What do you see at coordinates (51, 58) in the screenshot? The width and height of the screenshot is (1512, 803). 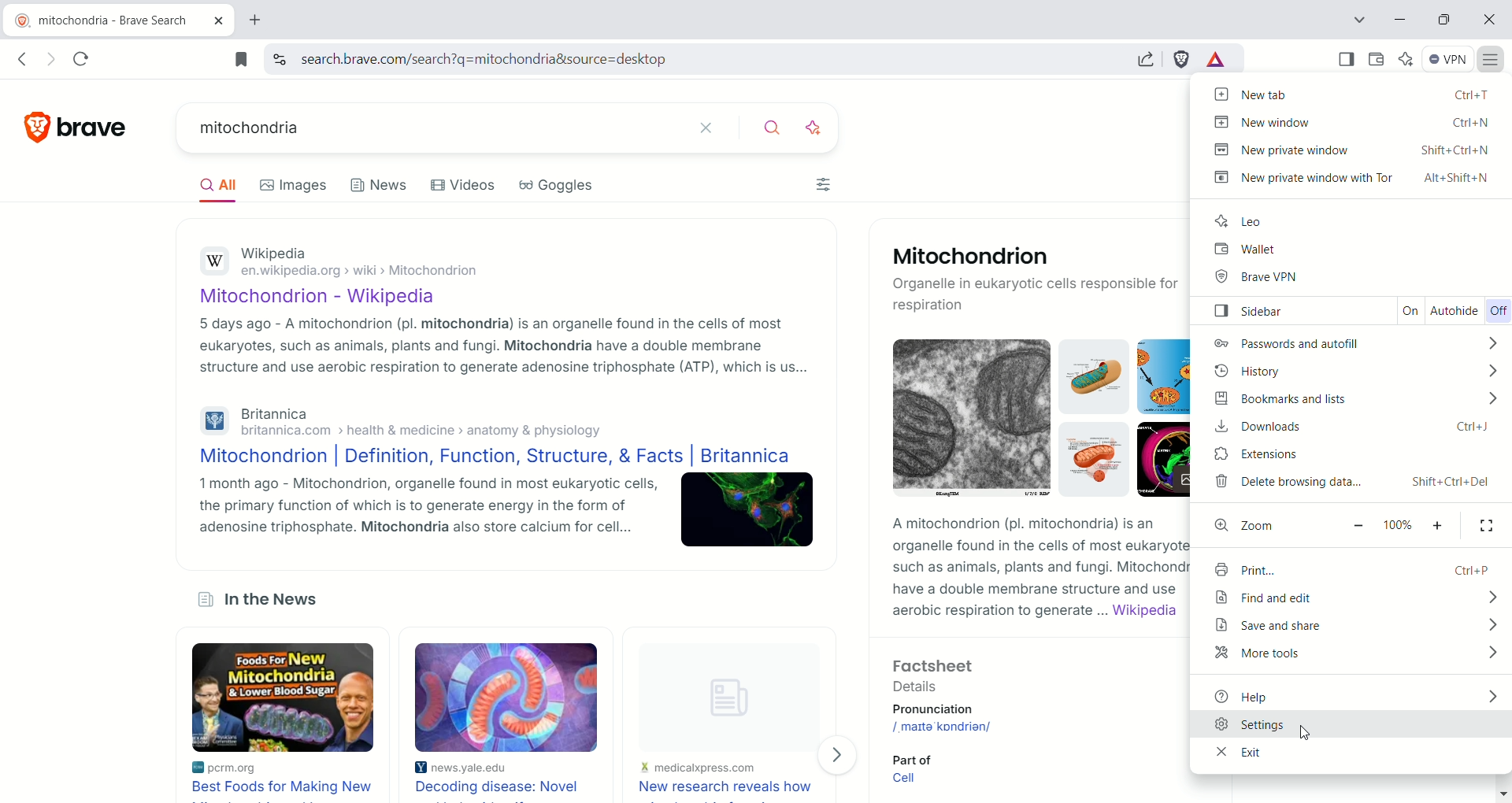 I see `go forward` at bounding box center [51, 58].